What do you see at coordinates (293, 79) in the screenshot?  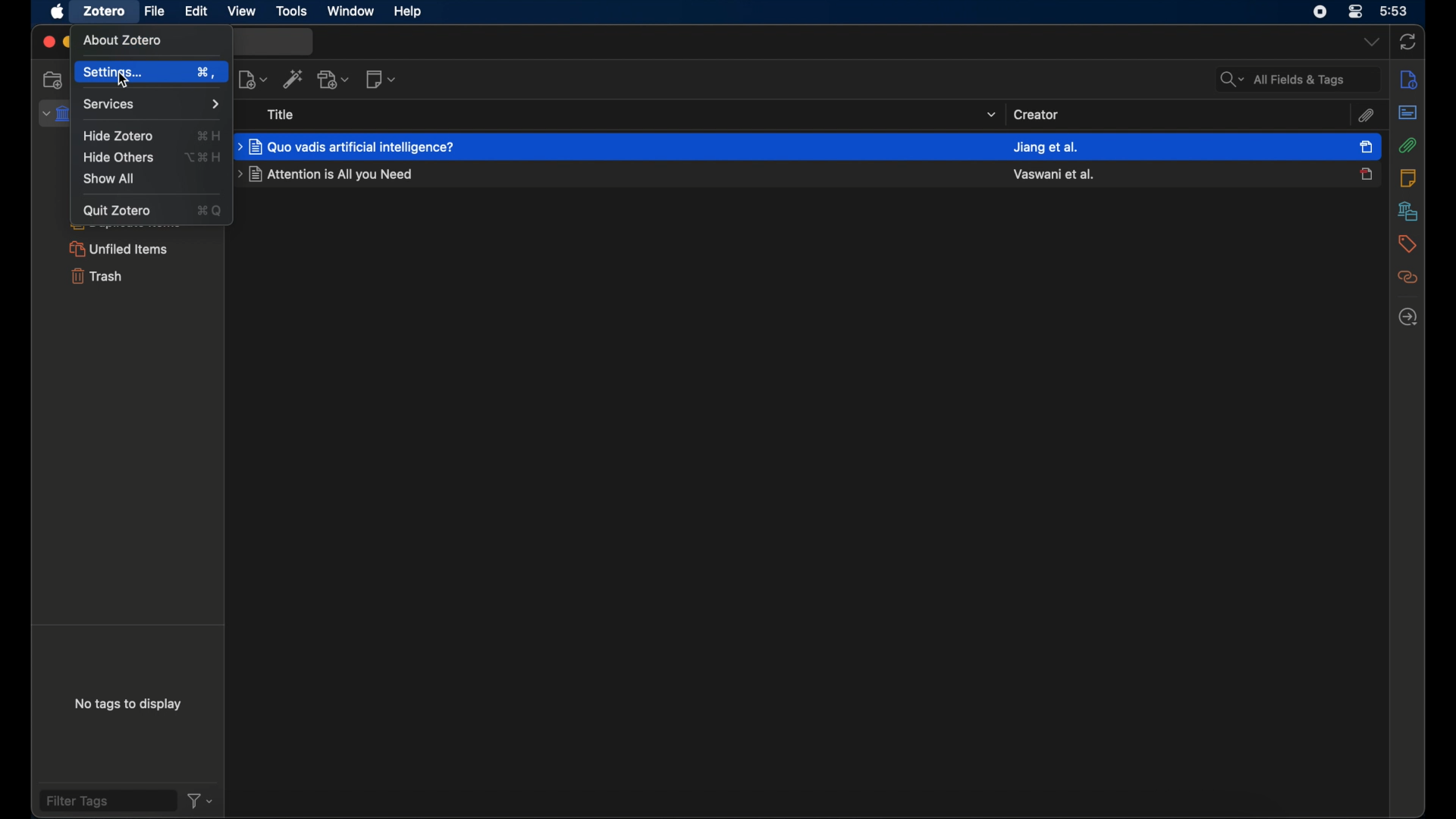 I see `add items by identifier` at bounding box center [293, 79].